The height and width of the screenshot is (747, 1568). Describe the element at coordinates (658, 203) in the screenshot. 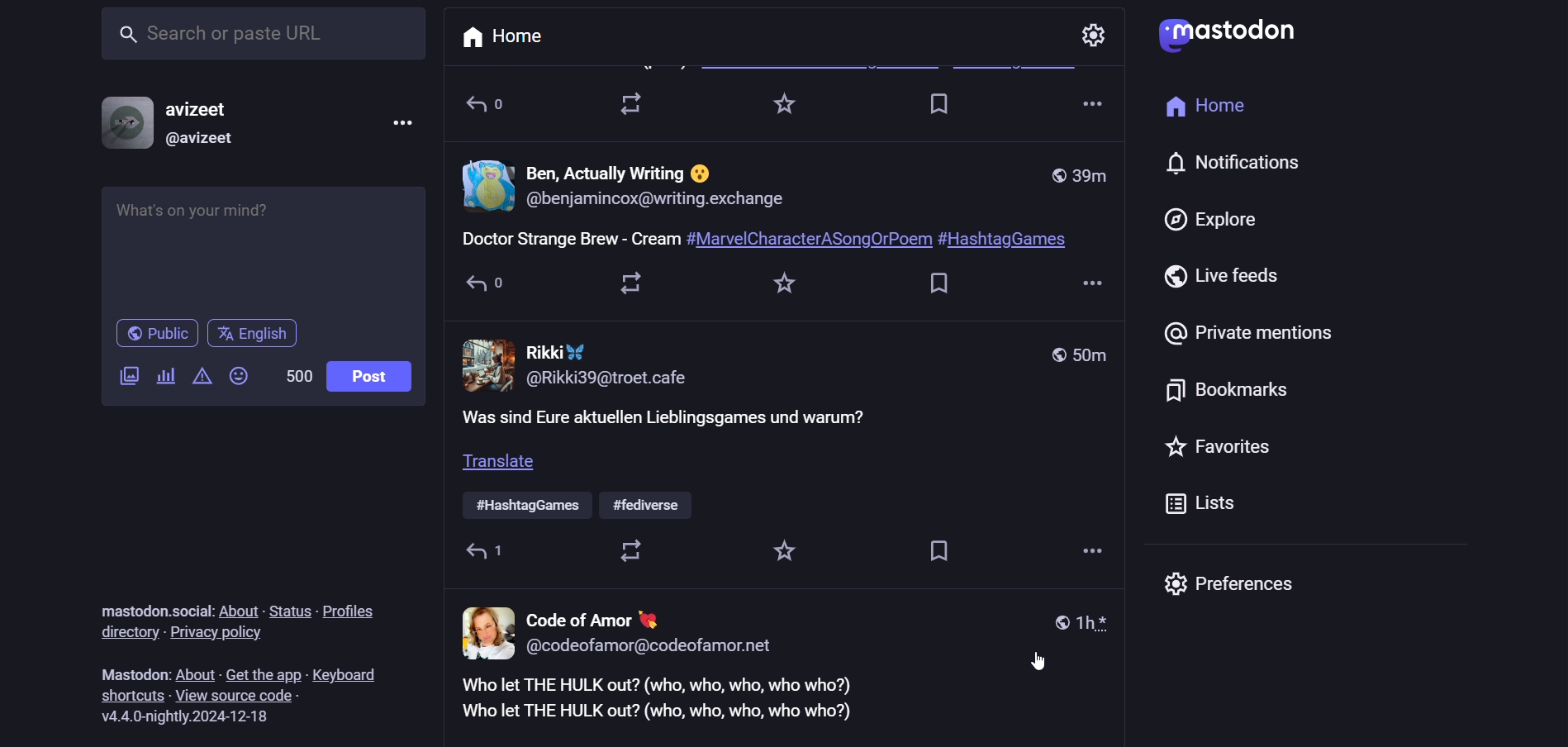

I see `@benjamincox@writing.exchange` at that location.